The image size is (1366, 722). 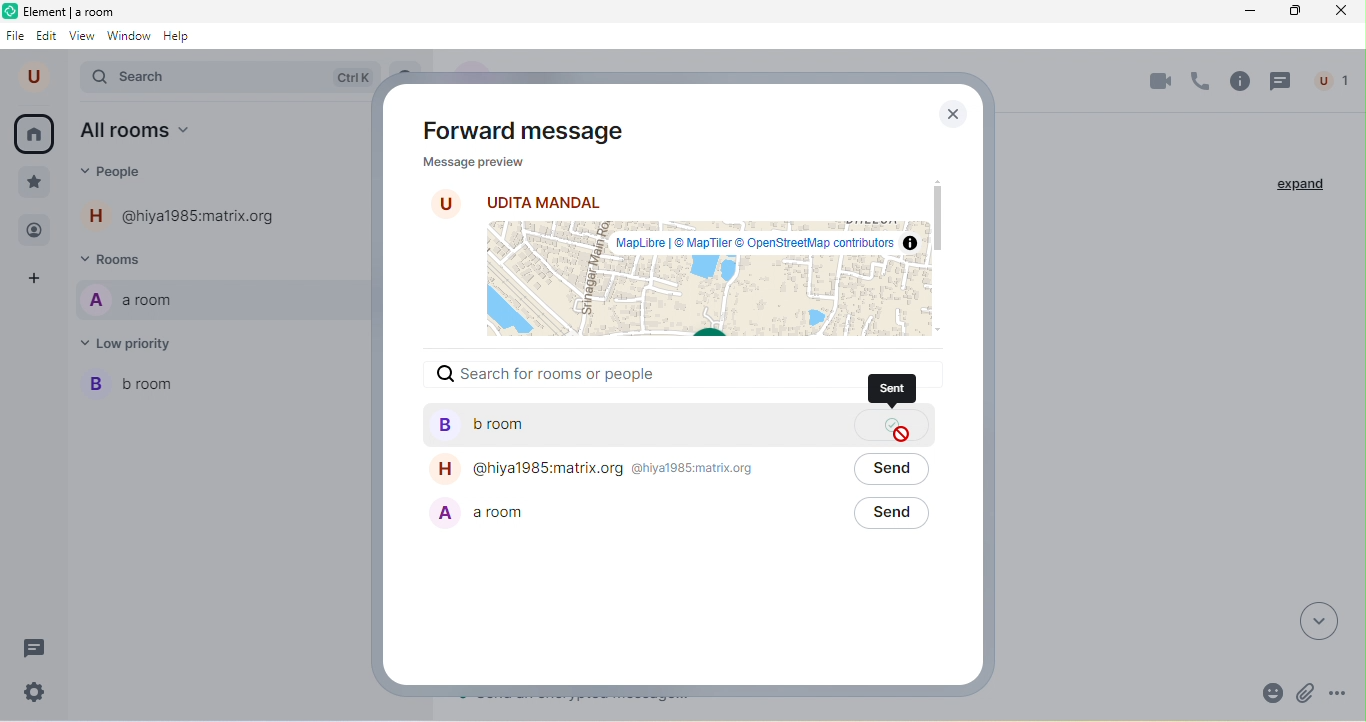 What do you see at coordinates (626, 436) in the screenshot?
I see `b room` at bounding box center [626, 436].